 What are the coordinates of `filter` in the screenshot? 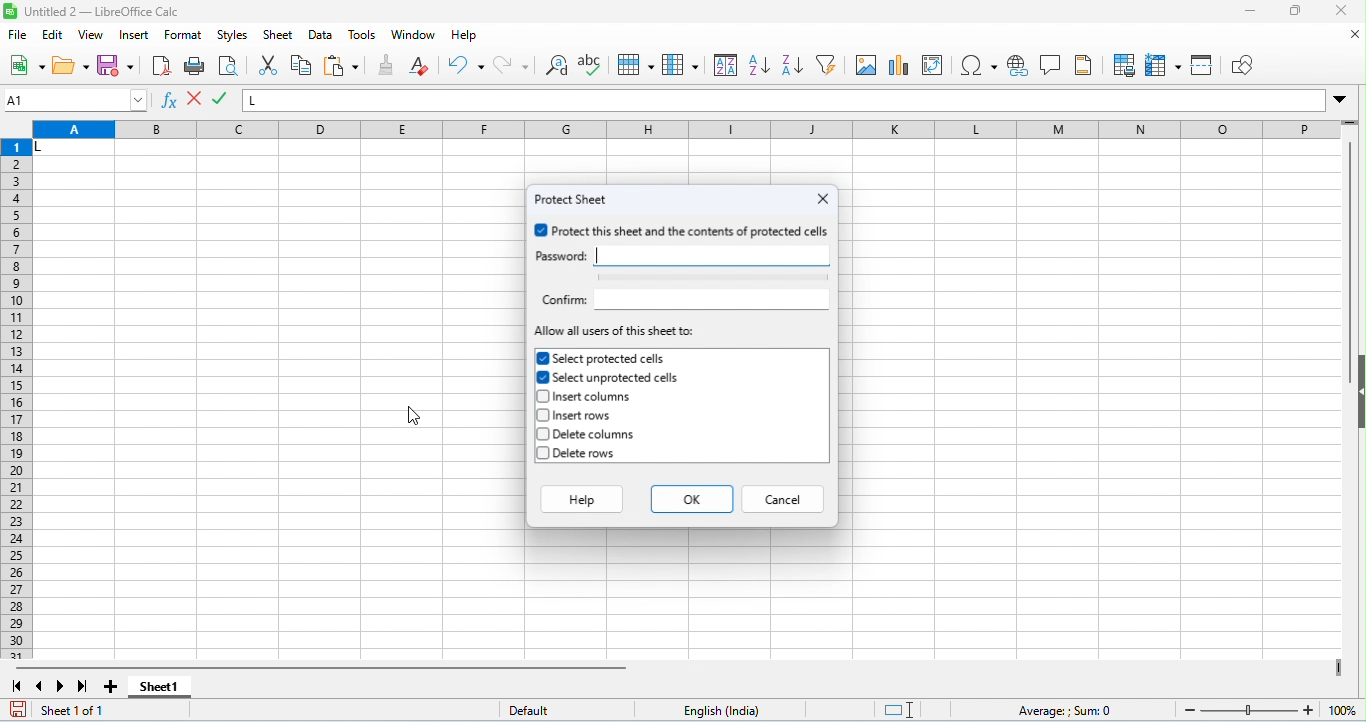 It's located at (827, 64).